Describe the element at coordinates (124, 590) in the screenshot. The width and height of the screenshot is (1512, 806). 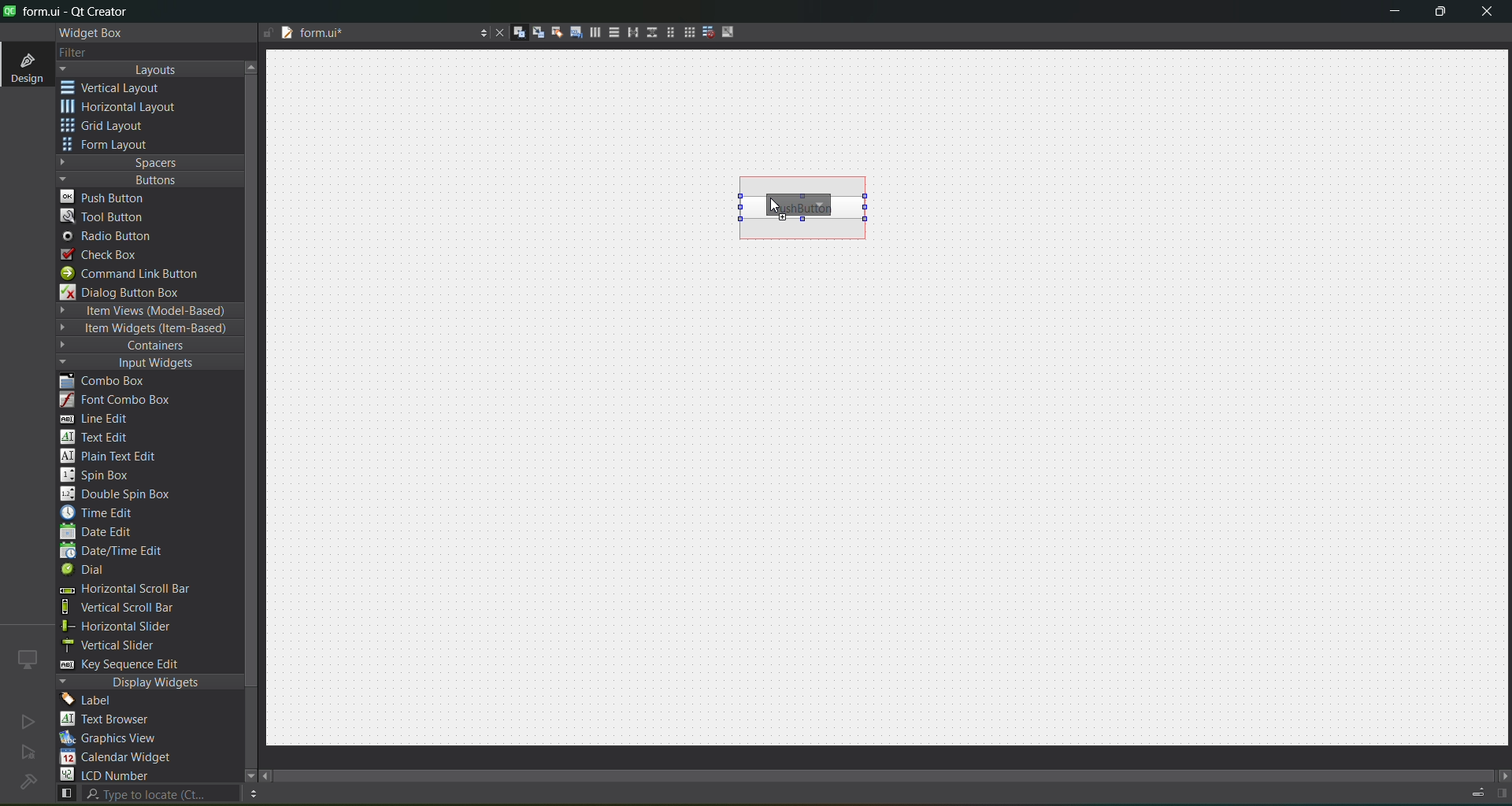
I see `horizontal scroll bar` at that location.